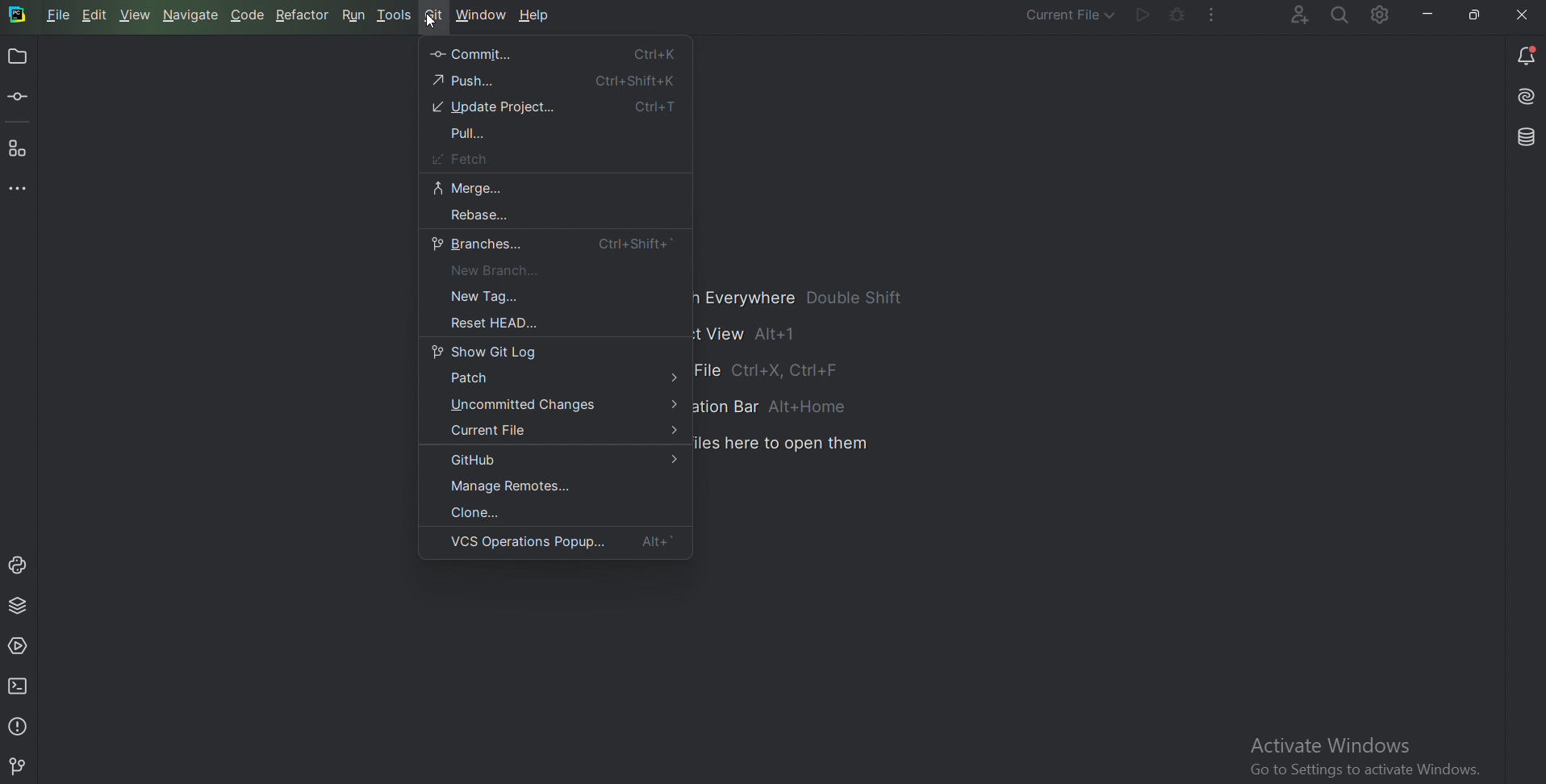 Image resolution: width=1546 pixels, height=784 pixels. Describe the element at coordinates (482, 16) in the screenshot. I see `Window` at that location.